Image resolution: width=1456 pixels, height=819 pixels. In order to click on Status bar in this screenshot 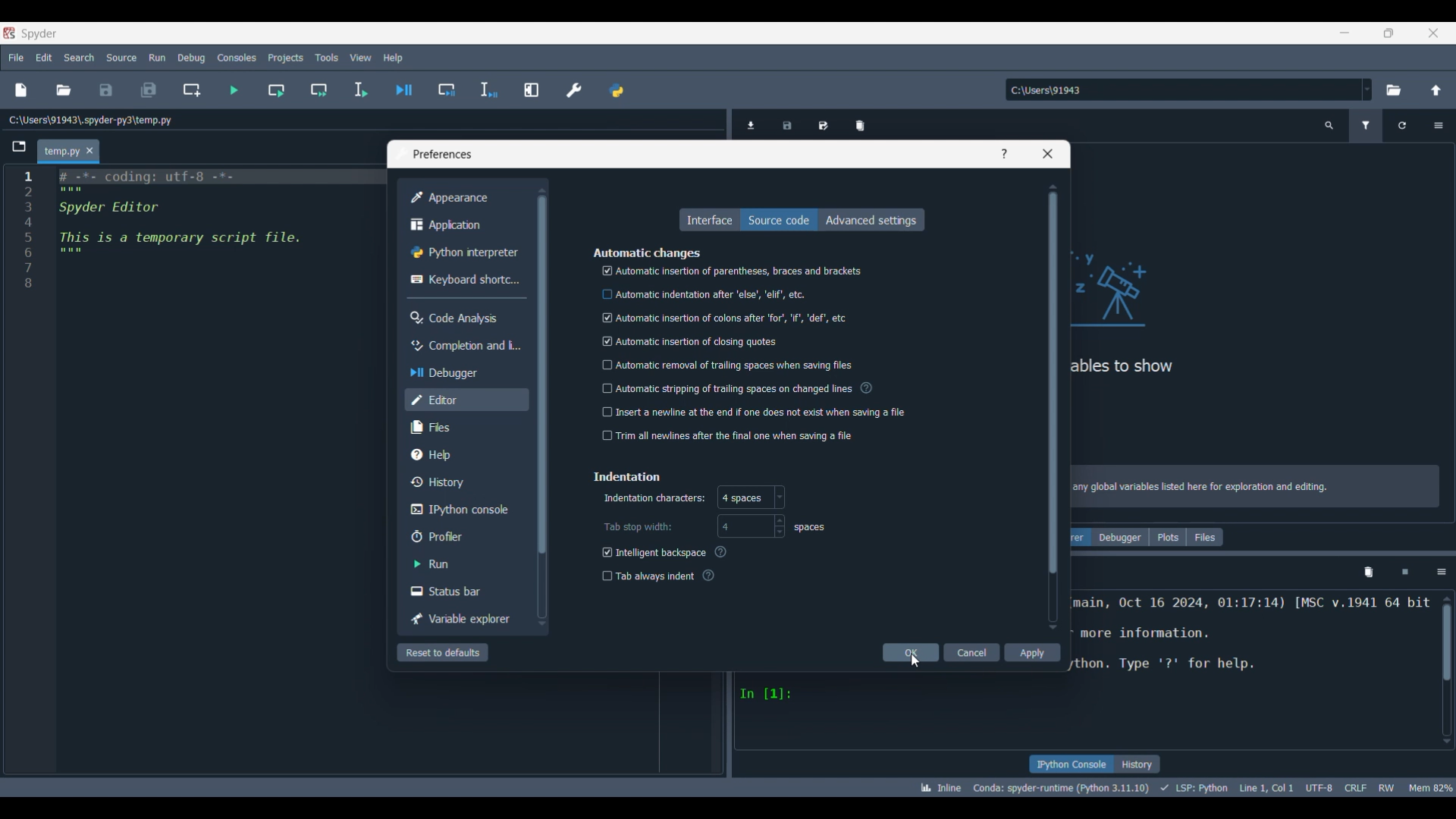, I will do `click(464, 591)`.